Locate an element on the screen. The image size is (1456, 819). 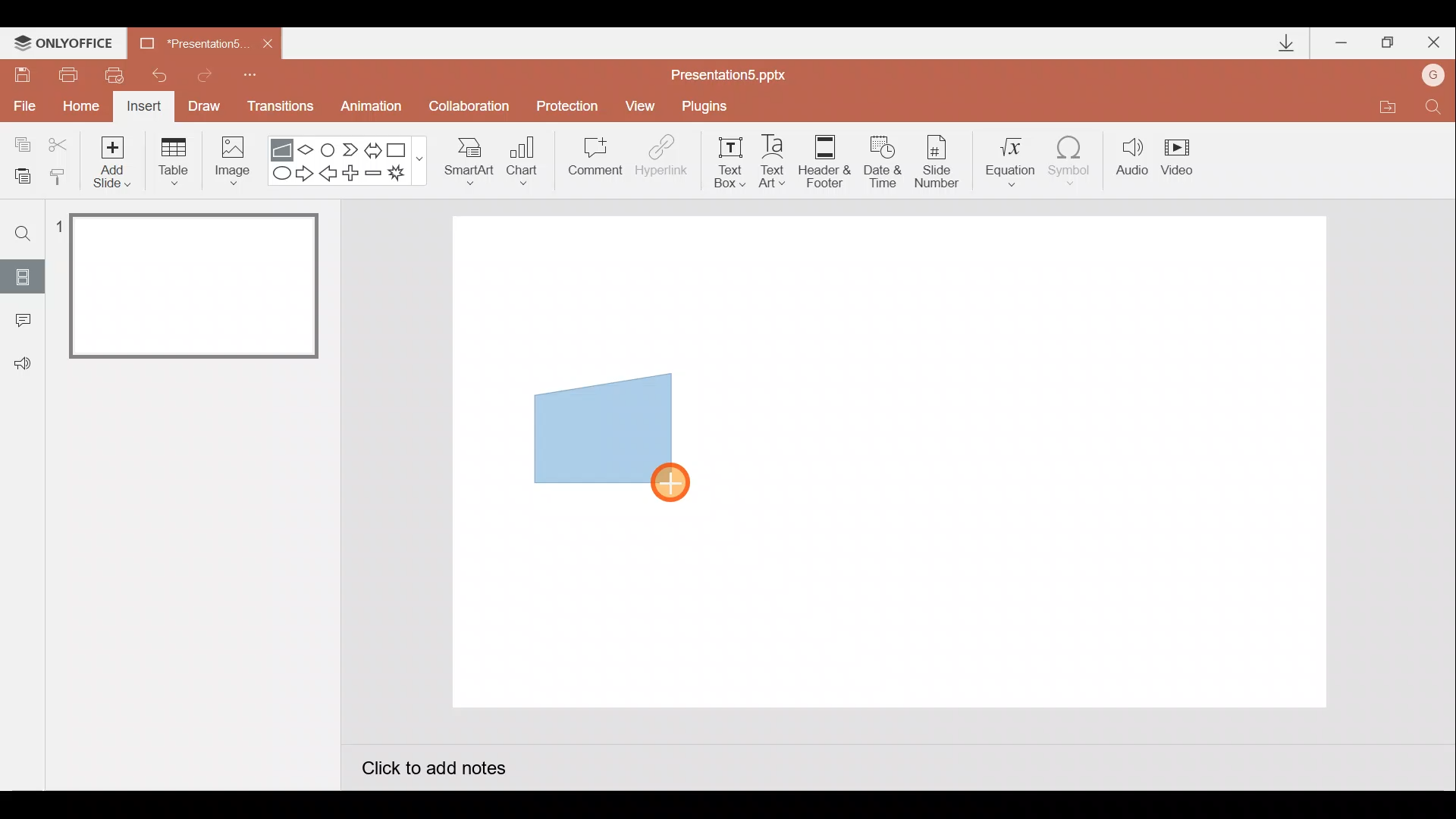
Symbol is located at coordinates (1075, 160).